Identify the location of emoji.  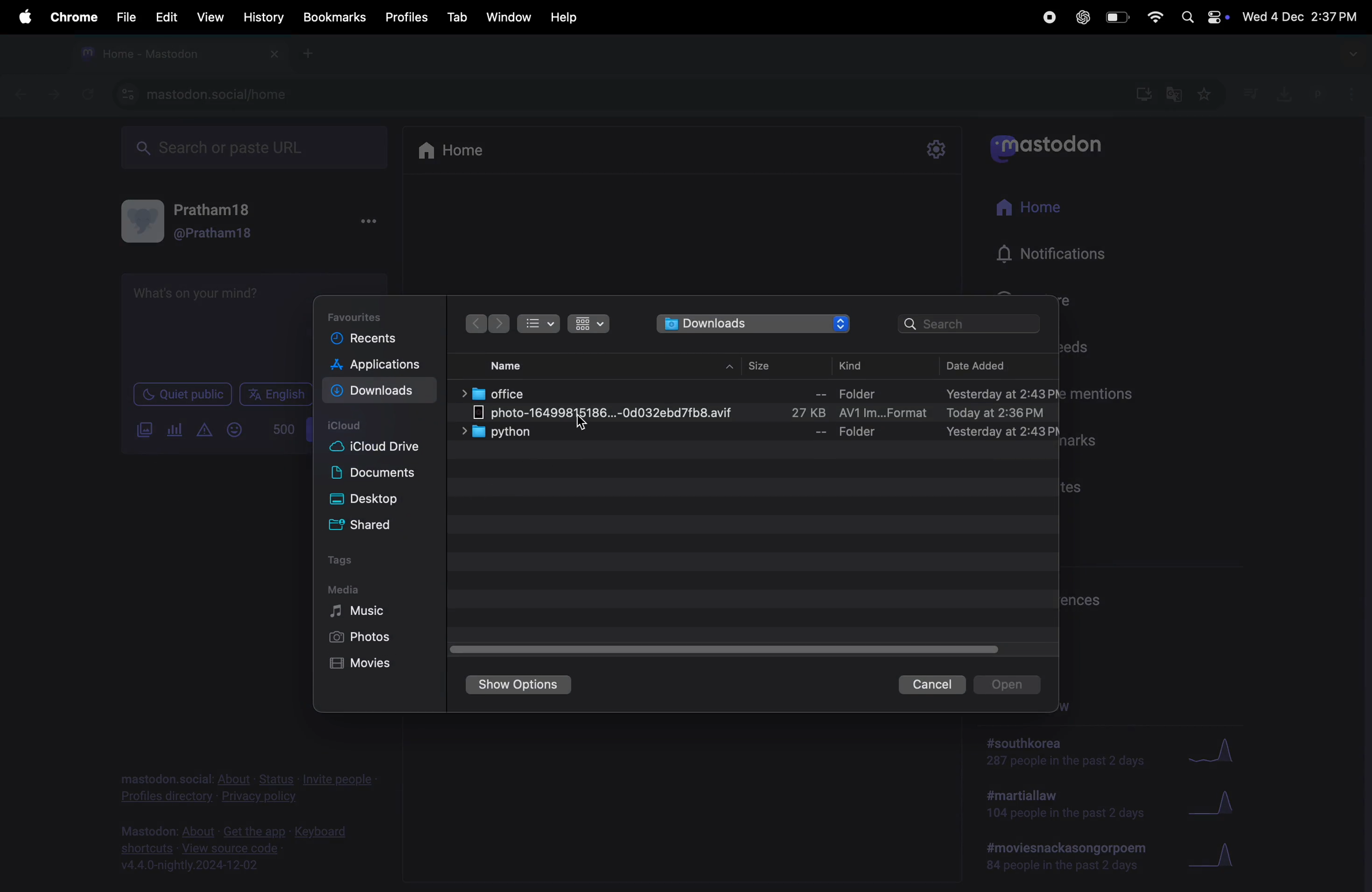
(235, 430).